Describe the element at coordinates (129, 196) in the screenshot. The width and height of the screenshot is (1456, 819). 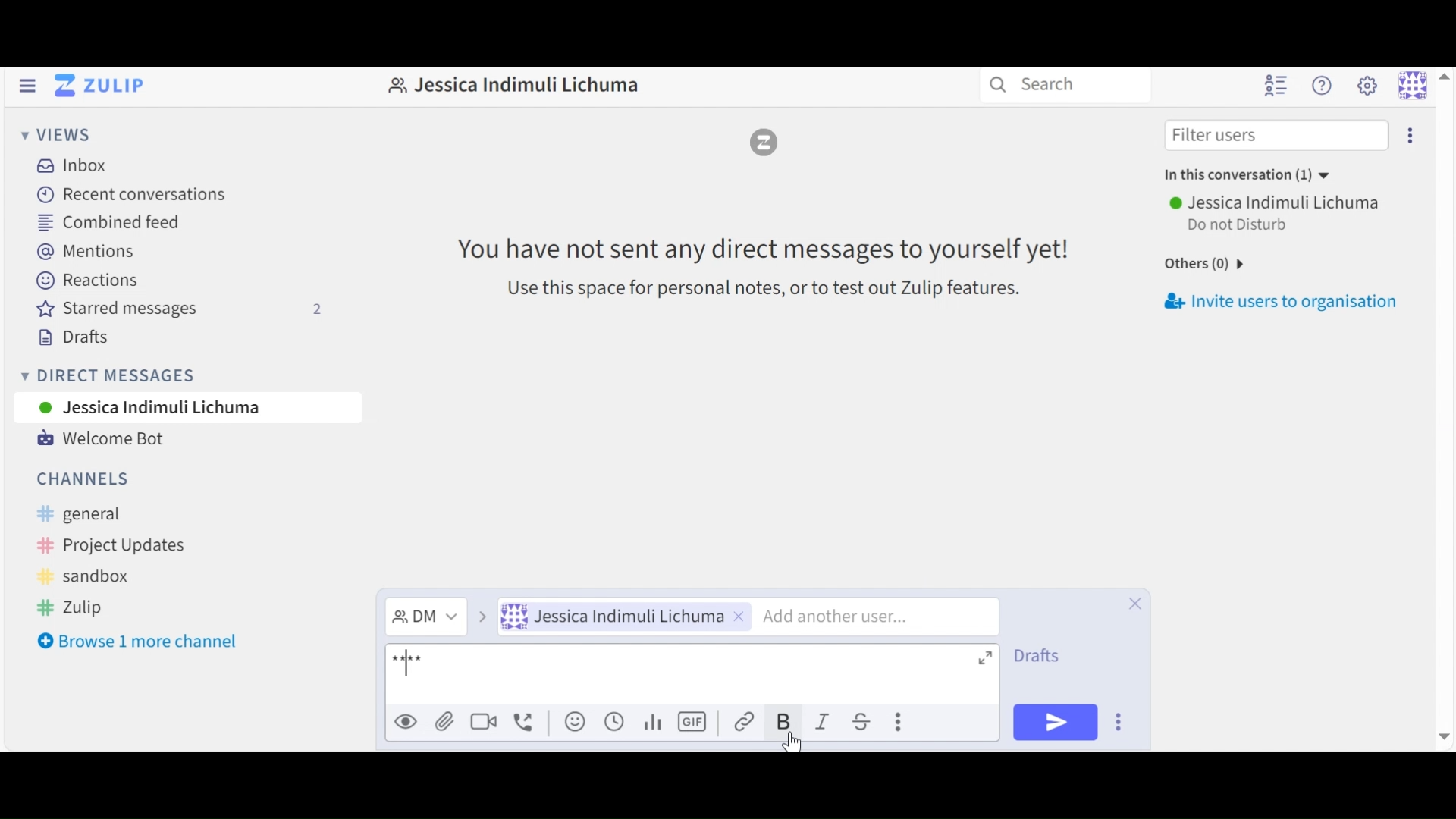
I see `Recent Conversations` at that location.